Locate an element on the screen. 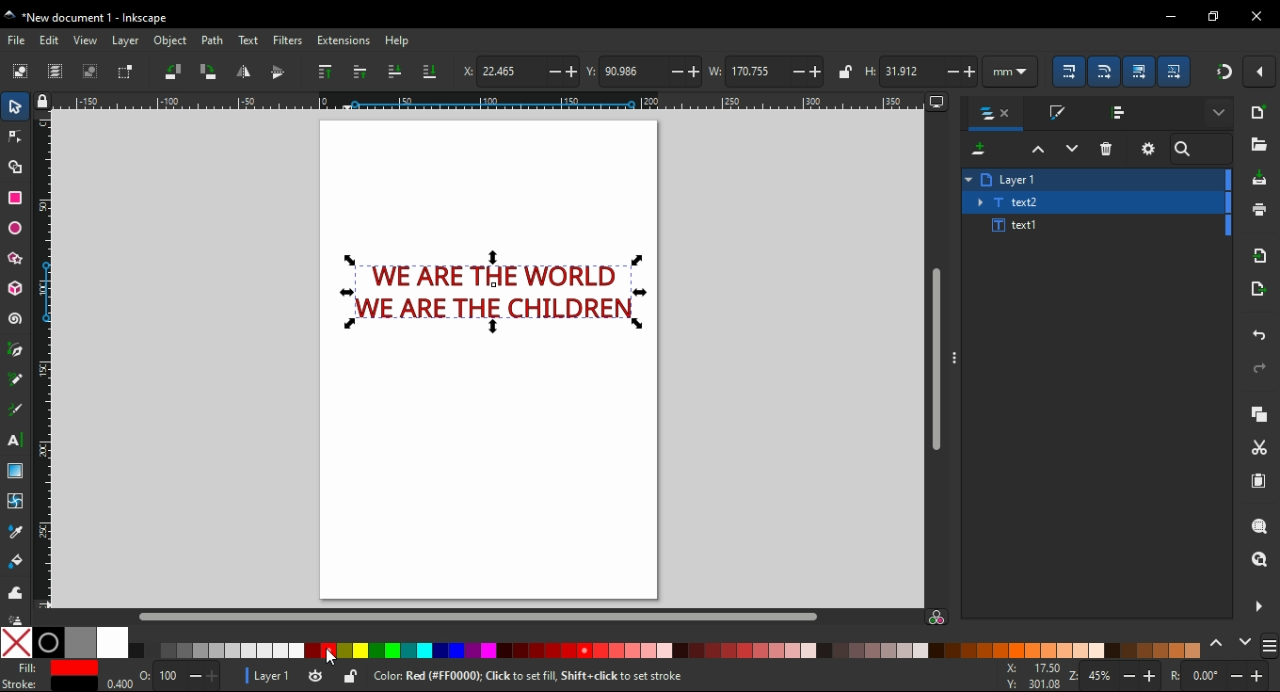 The height and width of the screenshot is (692, 1280). align and distribute is located at coordinates (1120, 111).